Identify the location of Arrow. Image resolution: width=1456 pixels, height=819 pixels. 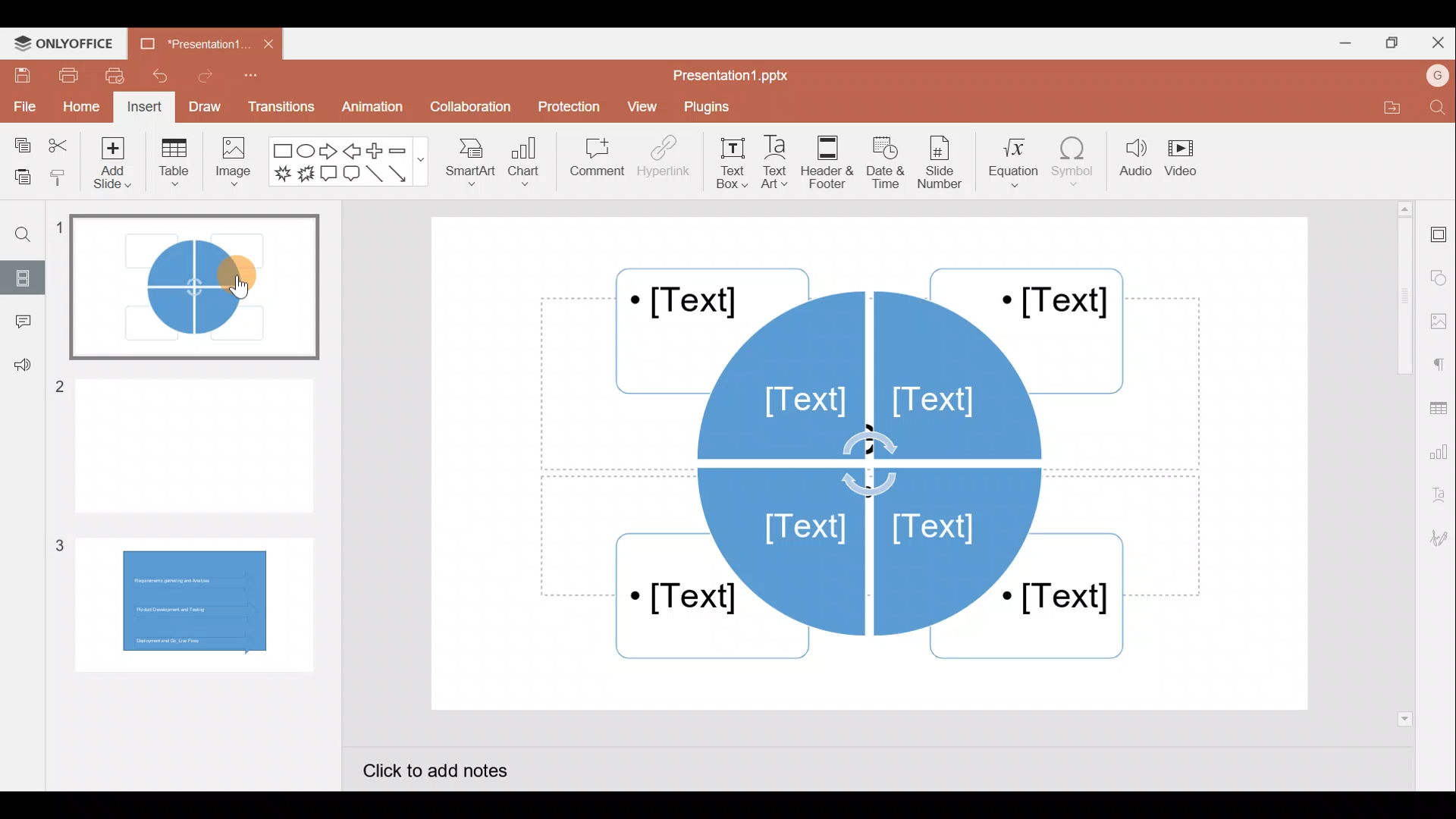
(401, 174).